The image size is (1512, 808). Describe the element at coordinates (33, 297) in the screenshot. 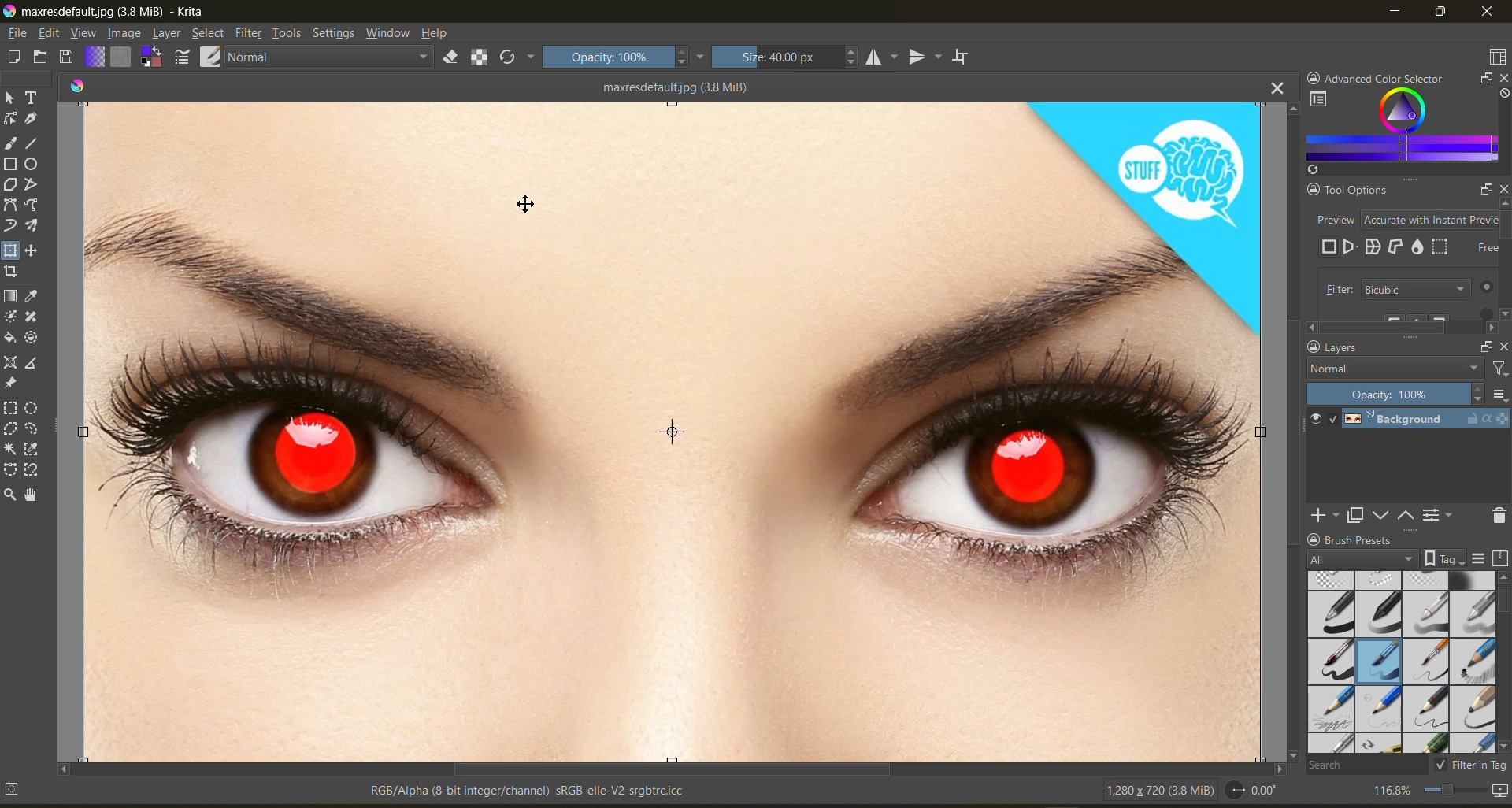

I see `tool` at that location.